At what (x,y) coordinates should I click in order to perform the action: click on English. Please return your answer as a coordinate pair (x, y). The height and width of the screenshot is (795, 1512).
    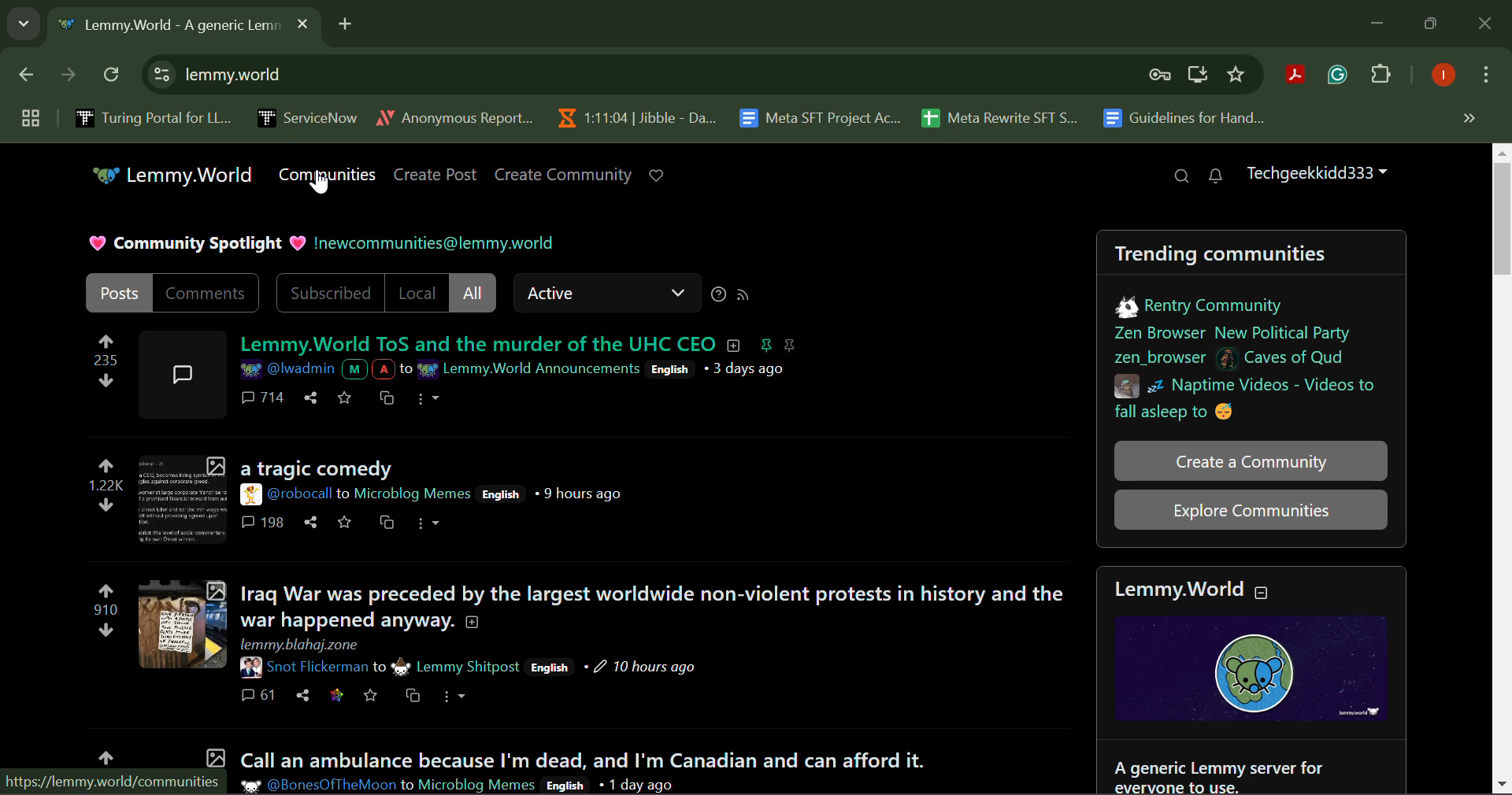
    Looking at the image, I should click on (672, 368).